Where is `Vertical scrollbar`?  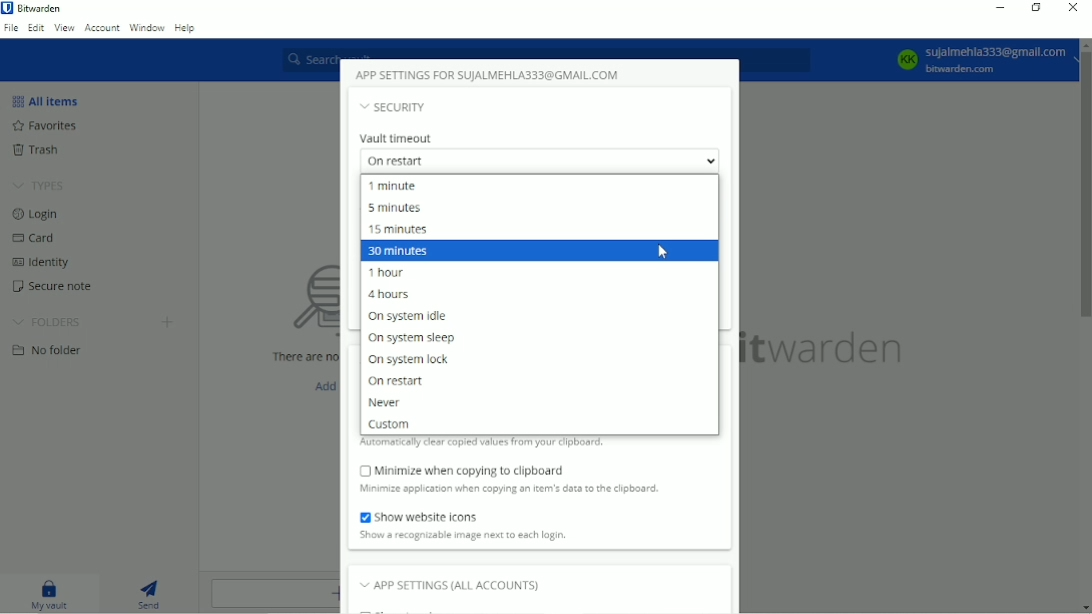 Vertical scrollbar is located at coordinates (1085, 186).